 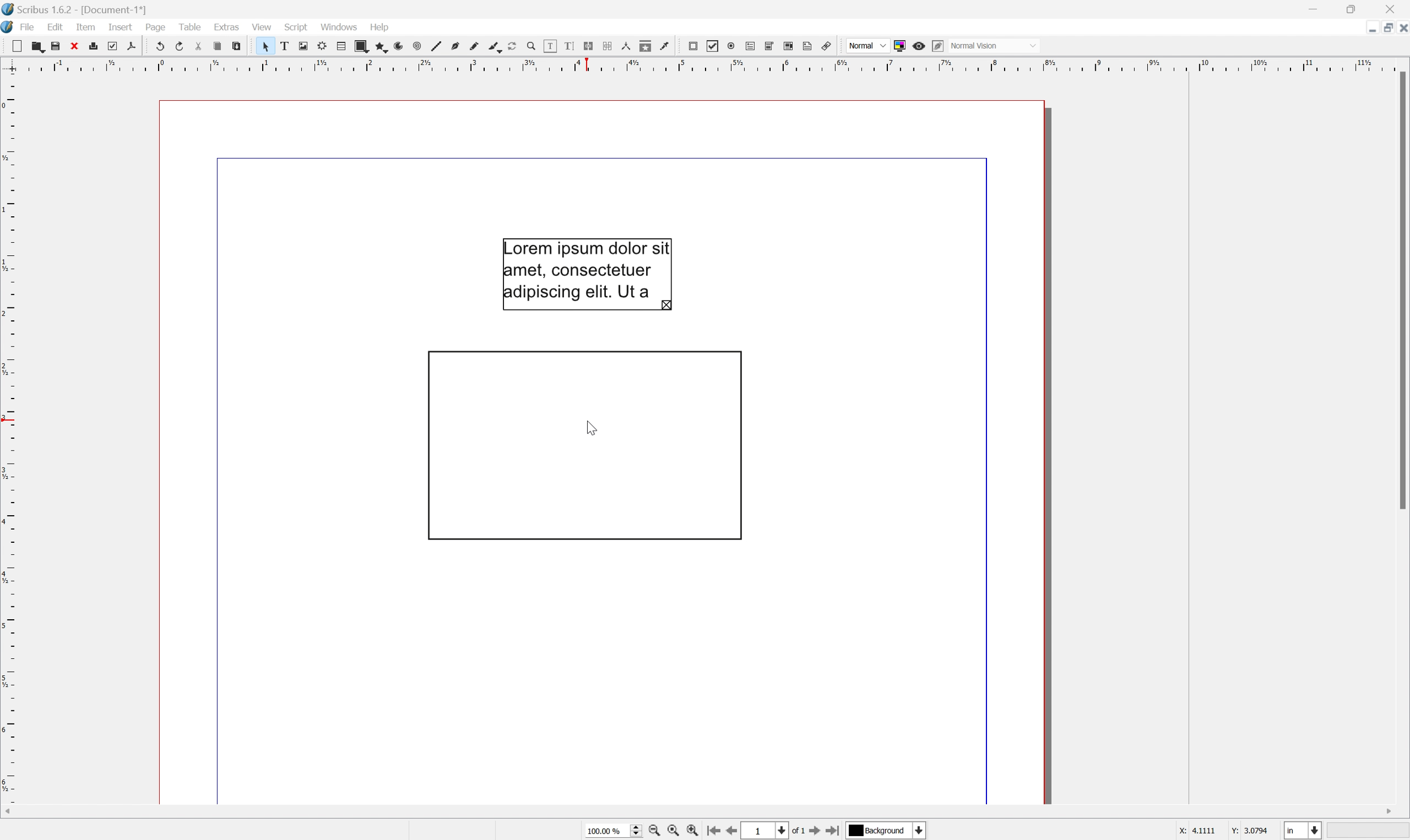 I want to click on Copy item properties, so click(x=646, y=46).